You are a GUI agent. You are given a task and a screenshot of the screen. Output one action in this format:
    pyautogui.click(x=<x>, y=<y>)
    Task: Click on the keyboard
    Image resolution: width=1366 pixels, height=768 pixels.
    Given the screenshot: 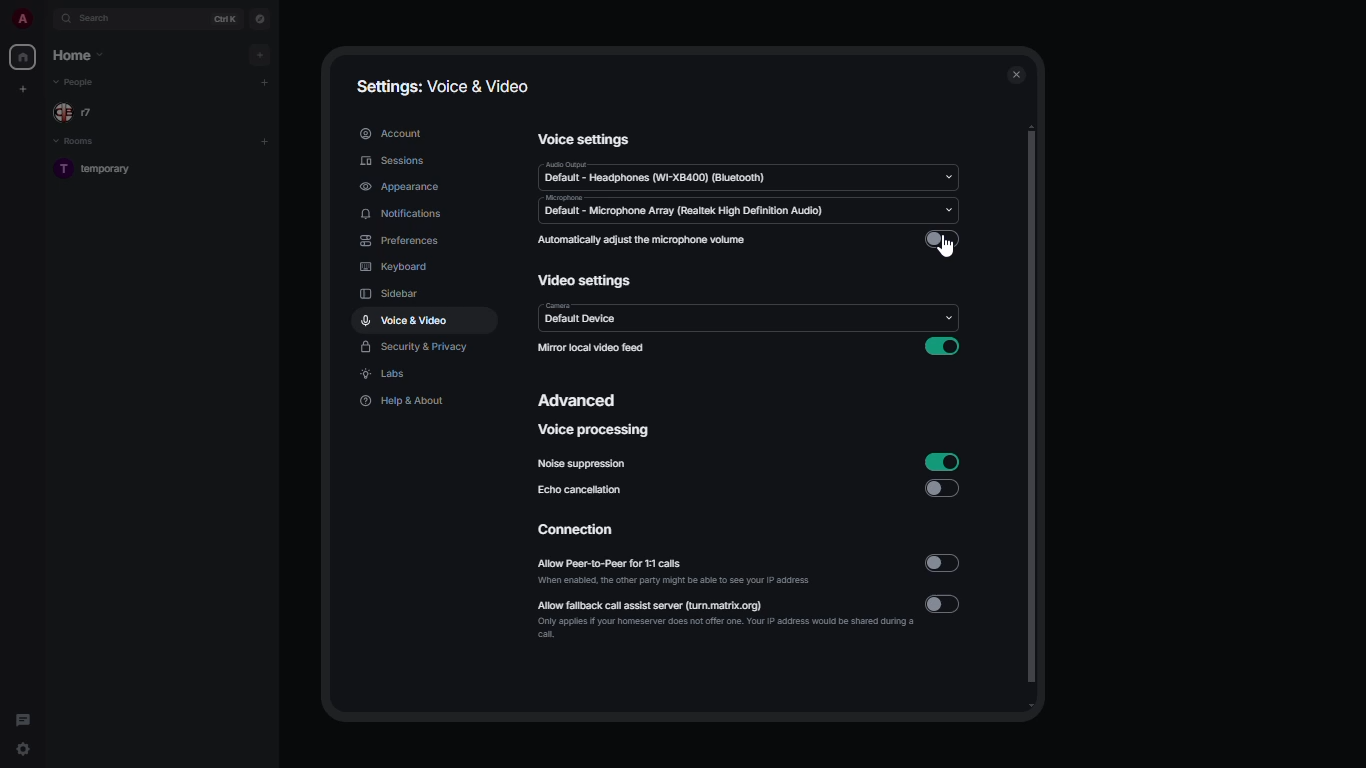 What is the action you would take?
    pyautogui.click(x=394, y=267)
    